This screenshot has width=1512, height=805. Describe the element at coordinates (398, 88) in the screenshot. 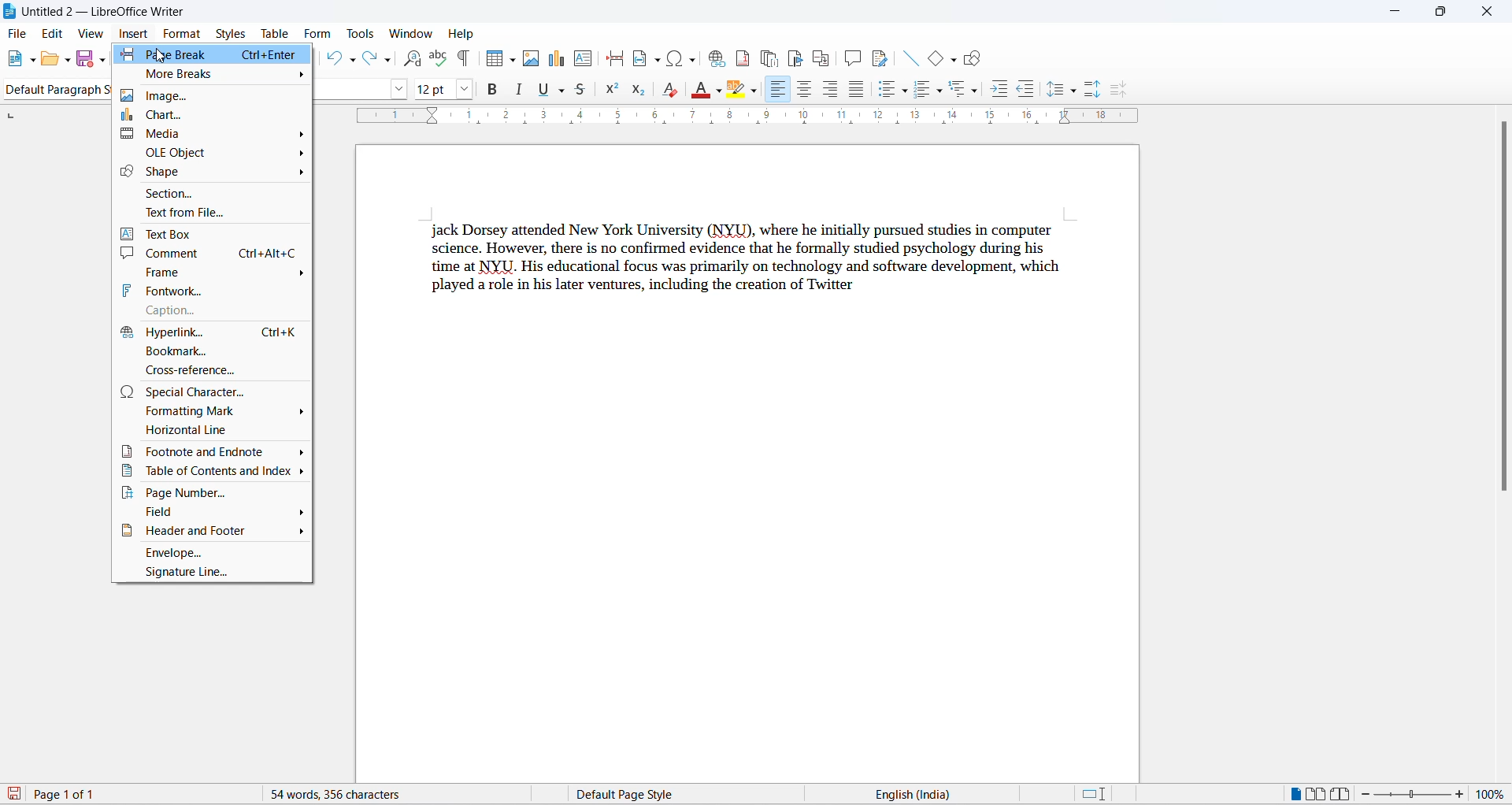

I see `font name options` at that location.